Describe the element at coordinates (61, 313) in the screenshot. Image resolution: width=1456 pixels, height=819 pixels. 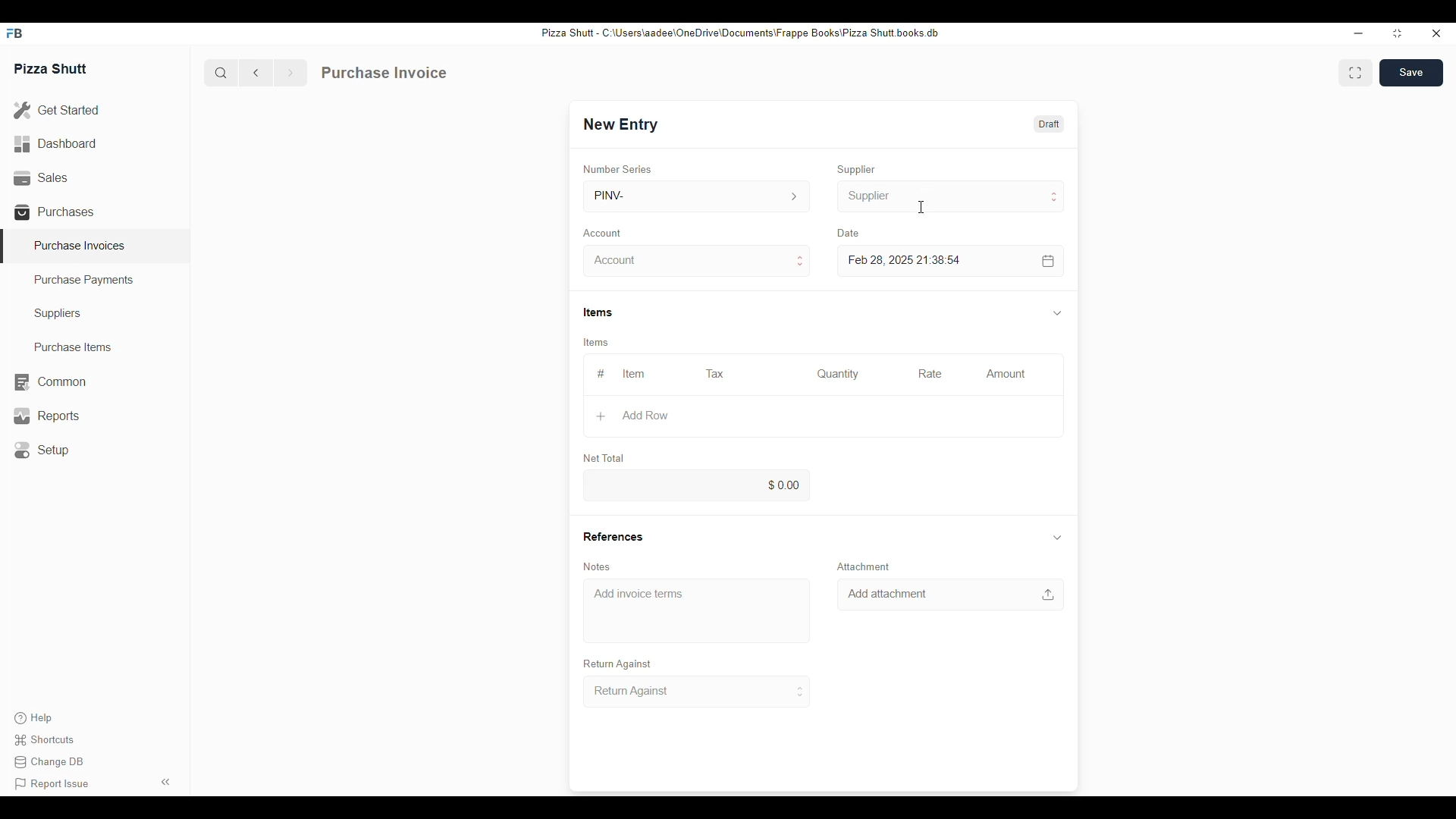
I see `Suppliers.` at that location.